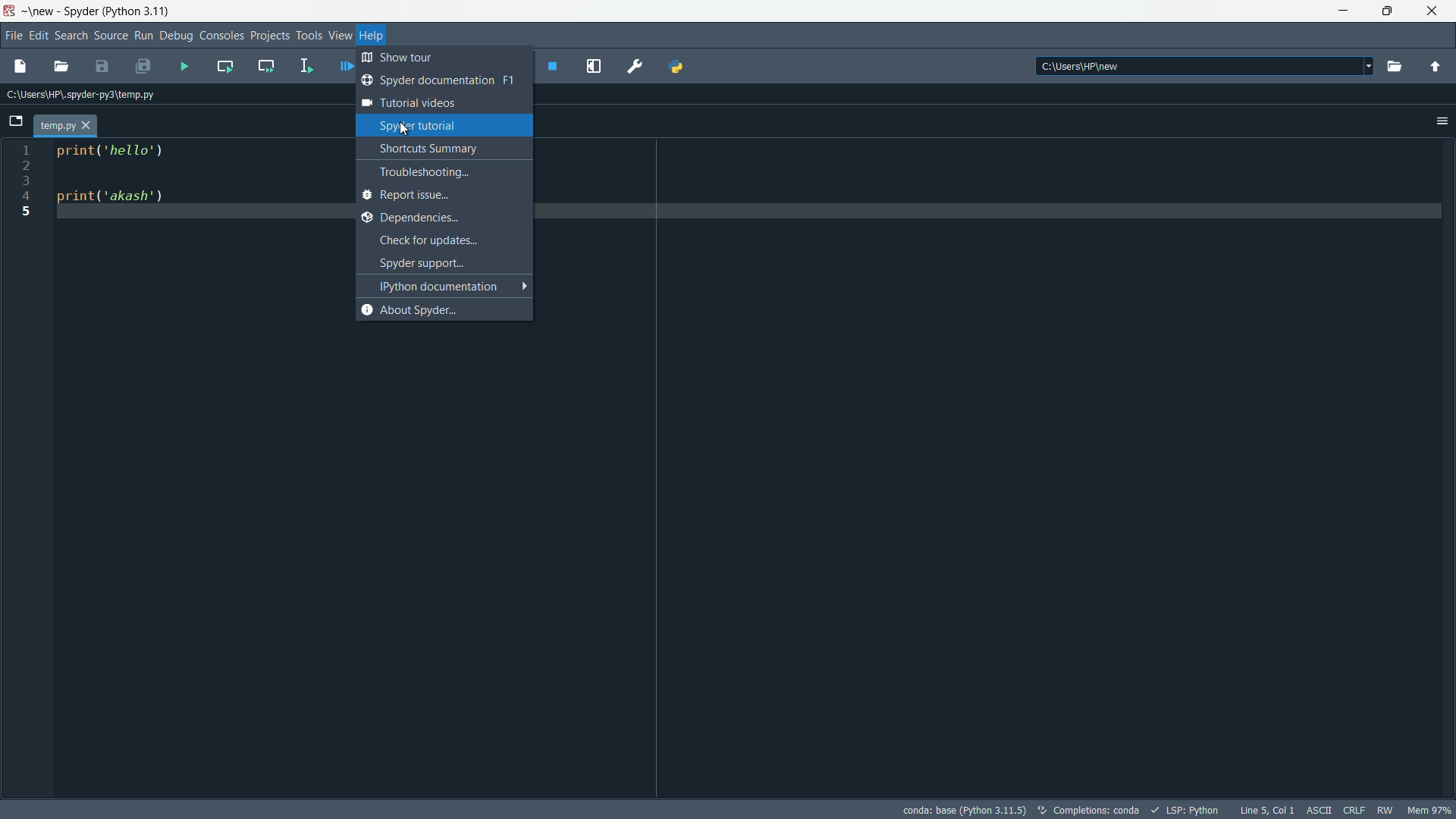 The image size is (1456, 819). What do you see at coordinates (553, 65) in the screenshot?
I see `stop debugging` at bounding box center [553, 65].